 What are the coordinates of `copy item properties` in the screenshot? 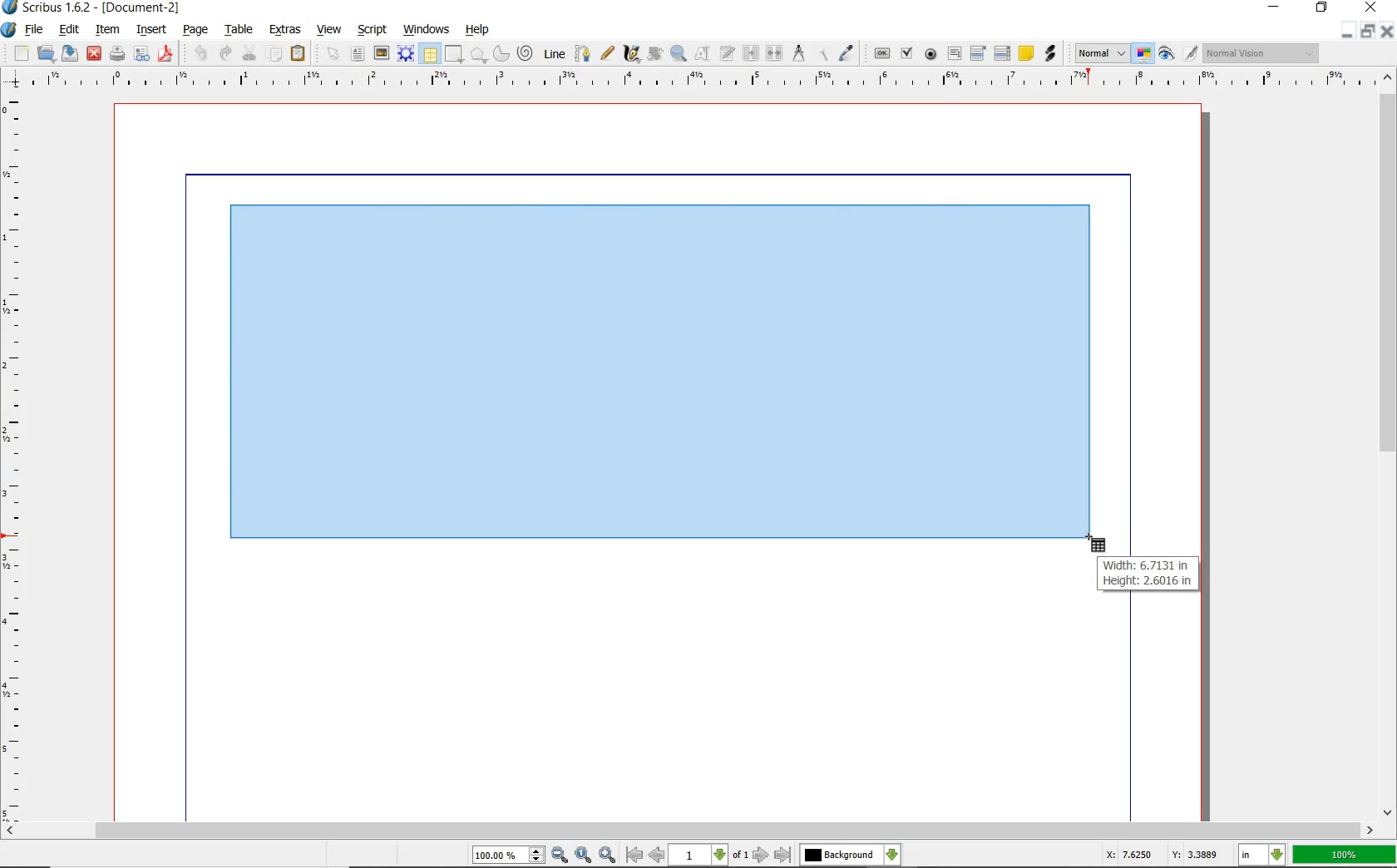 It's located at (823, 56).